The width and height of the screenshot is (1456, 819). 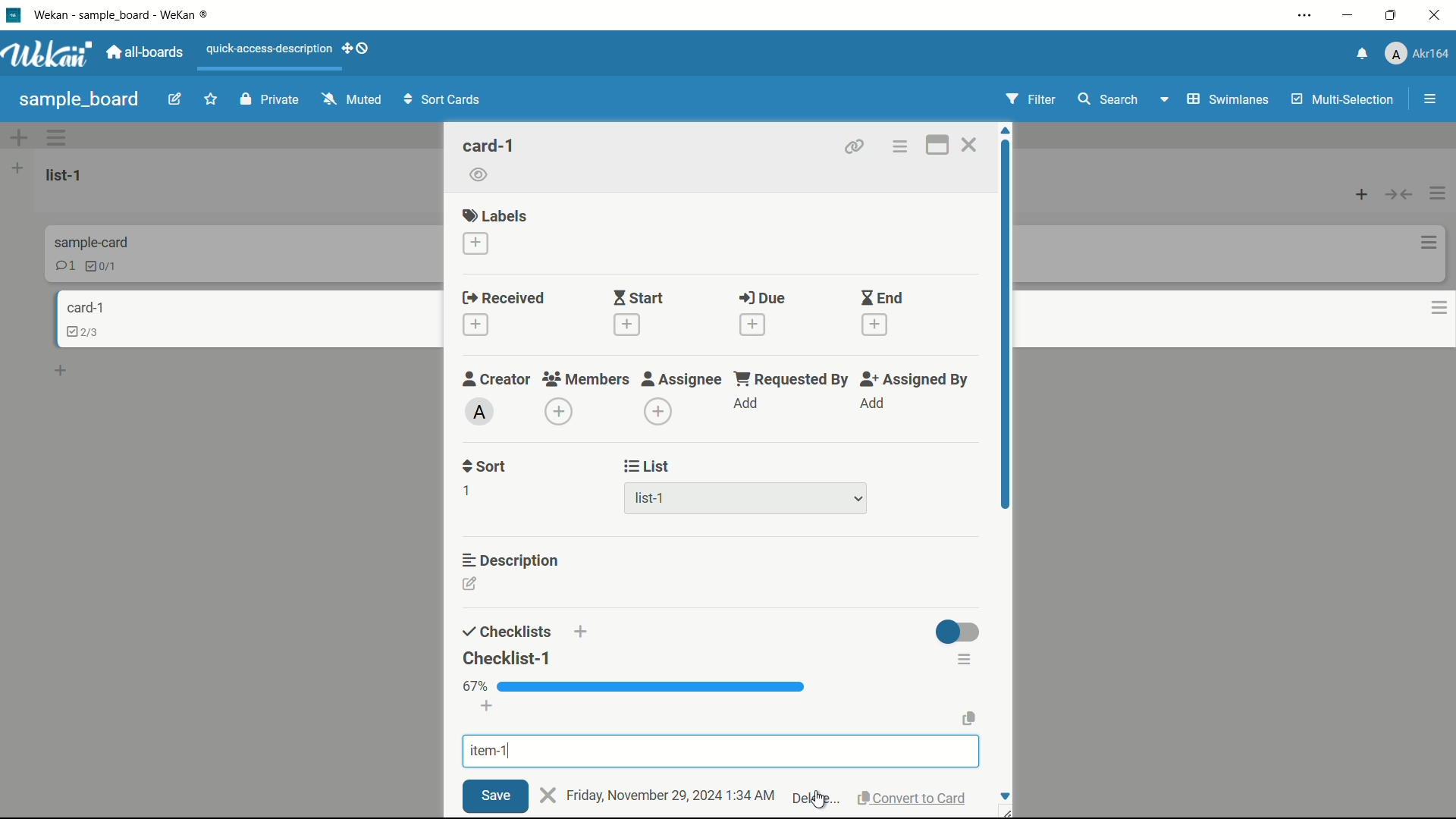 I want to click on received, so click(x=507, y=297).